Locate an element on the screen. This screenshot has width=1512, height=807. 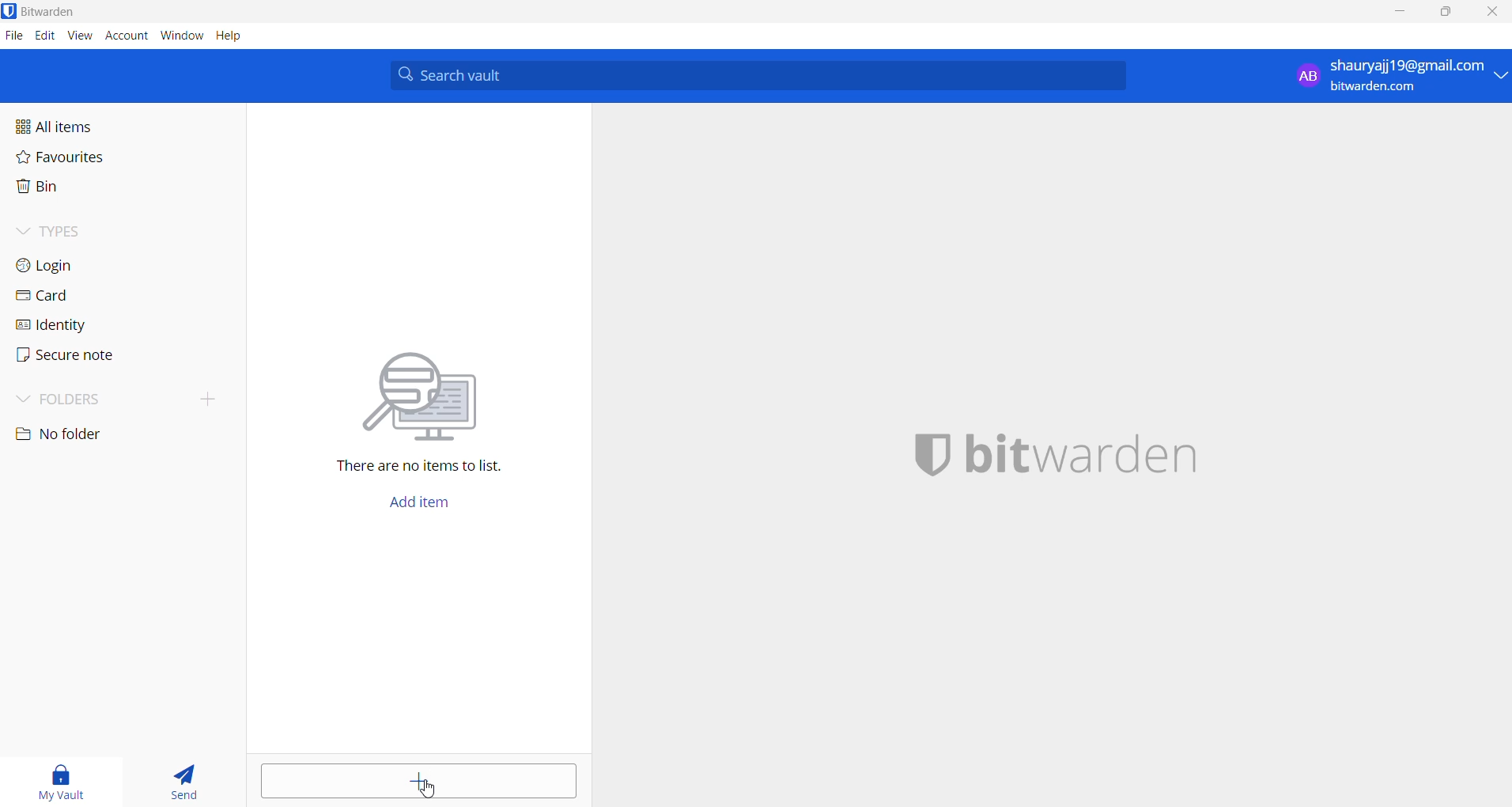
Folders is located at coordinates (81, 396).